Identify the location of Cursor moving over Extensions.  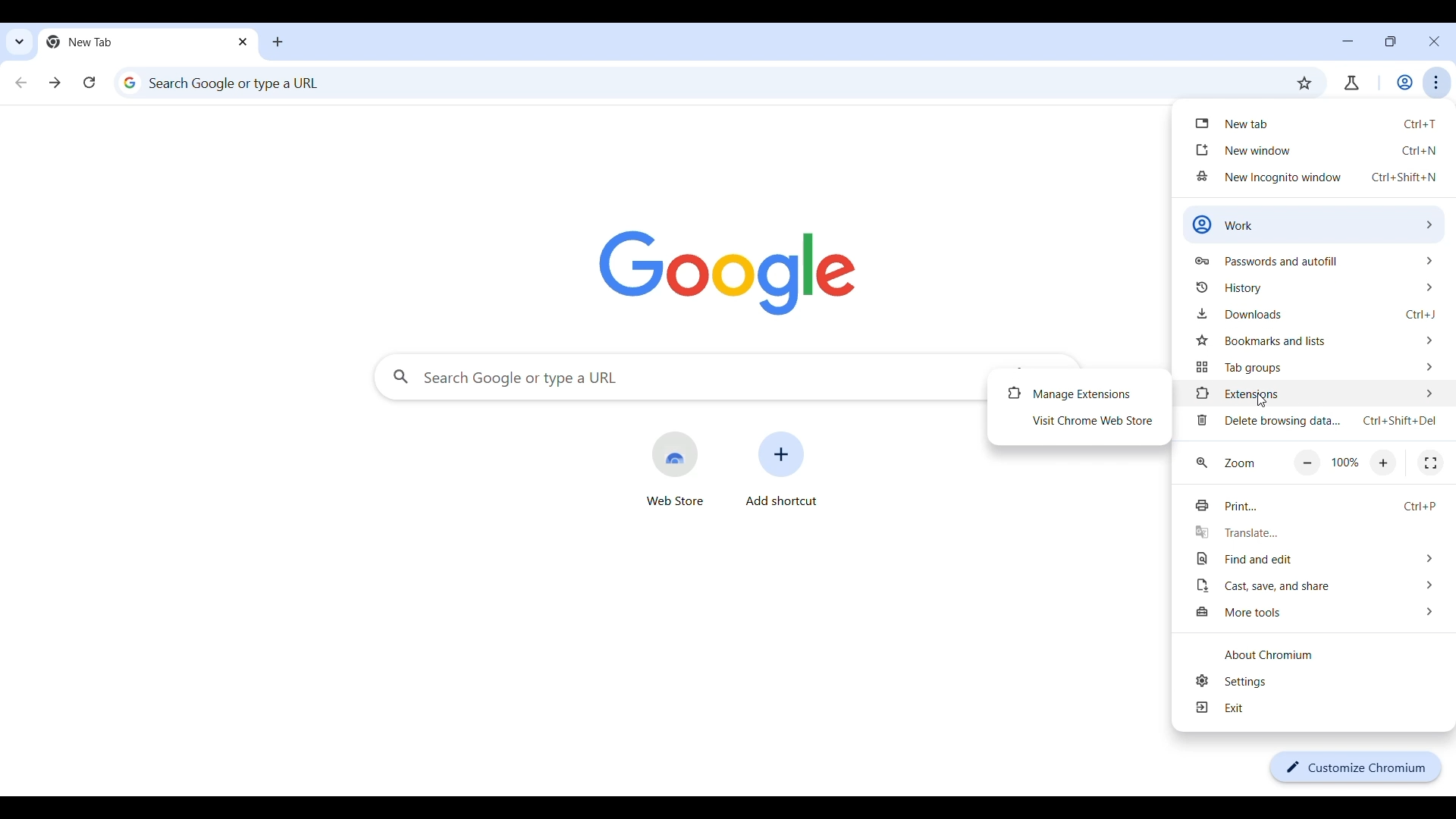
(1263, 400).